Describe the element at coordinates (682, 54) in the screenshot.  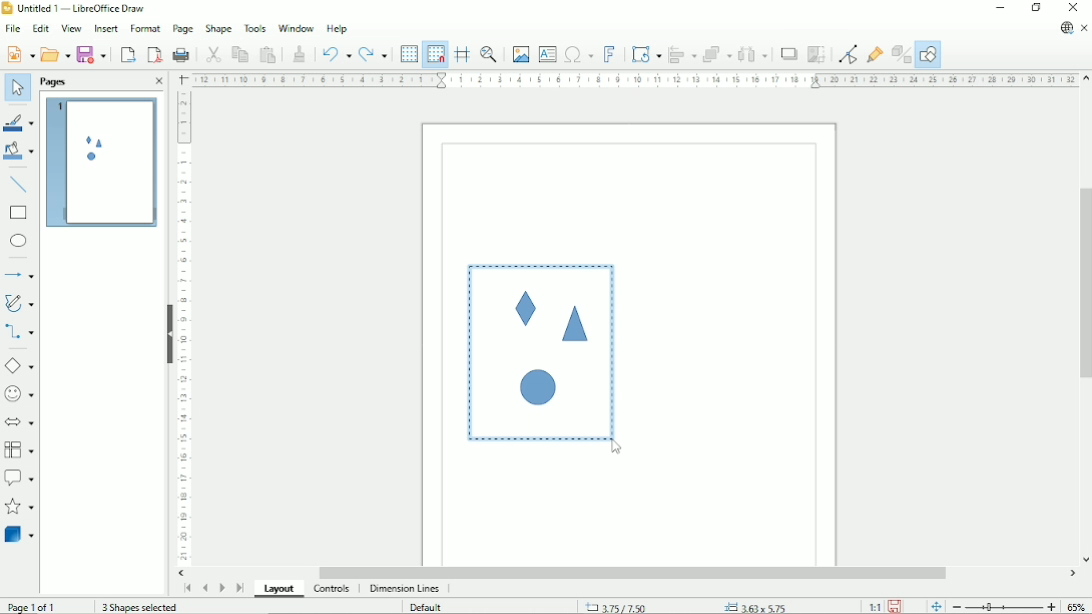
I see `Align objects` at that location.